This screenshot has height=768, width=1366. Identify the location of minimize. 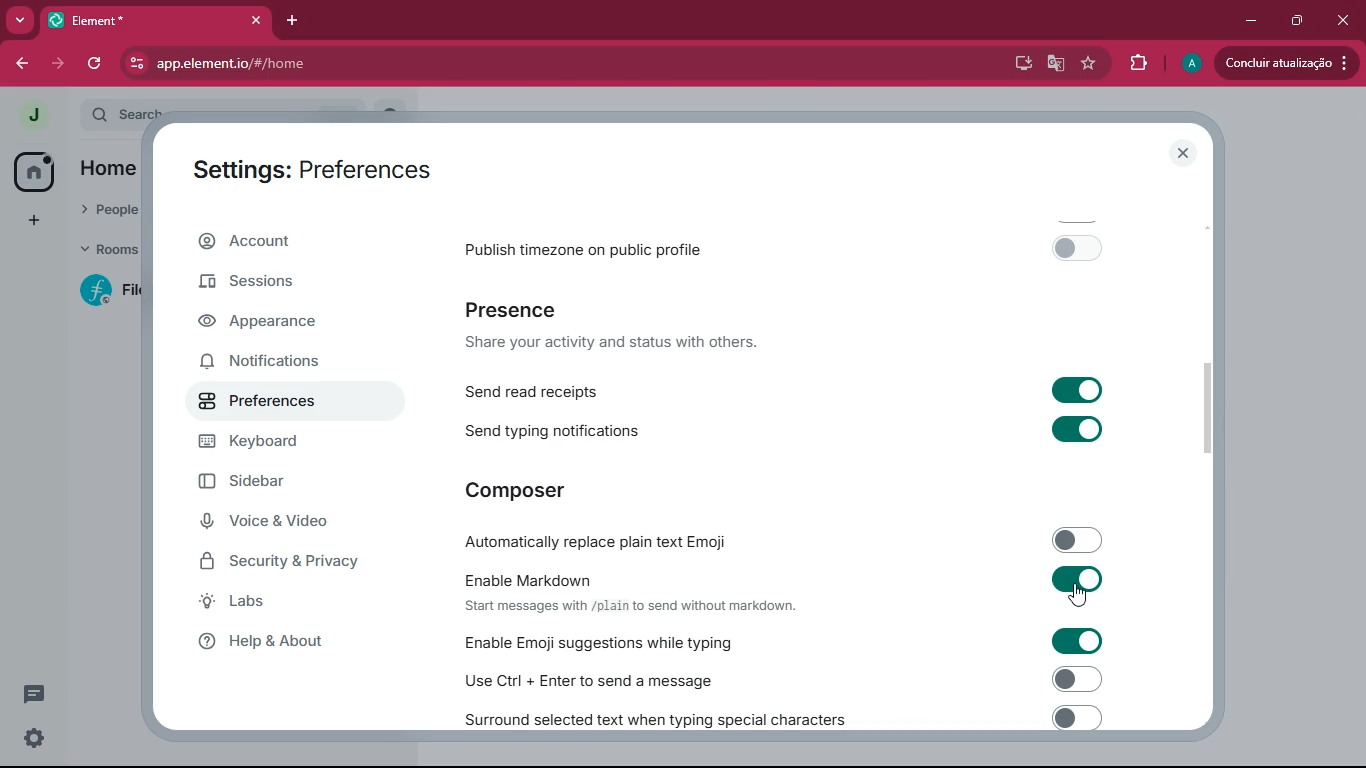
(1250, 21).